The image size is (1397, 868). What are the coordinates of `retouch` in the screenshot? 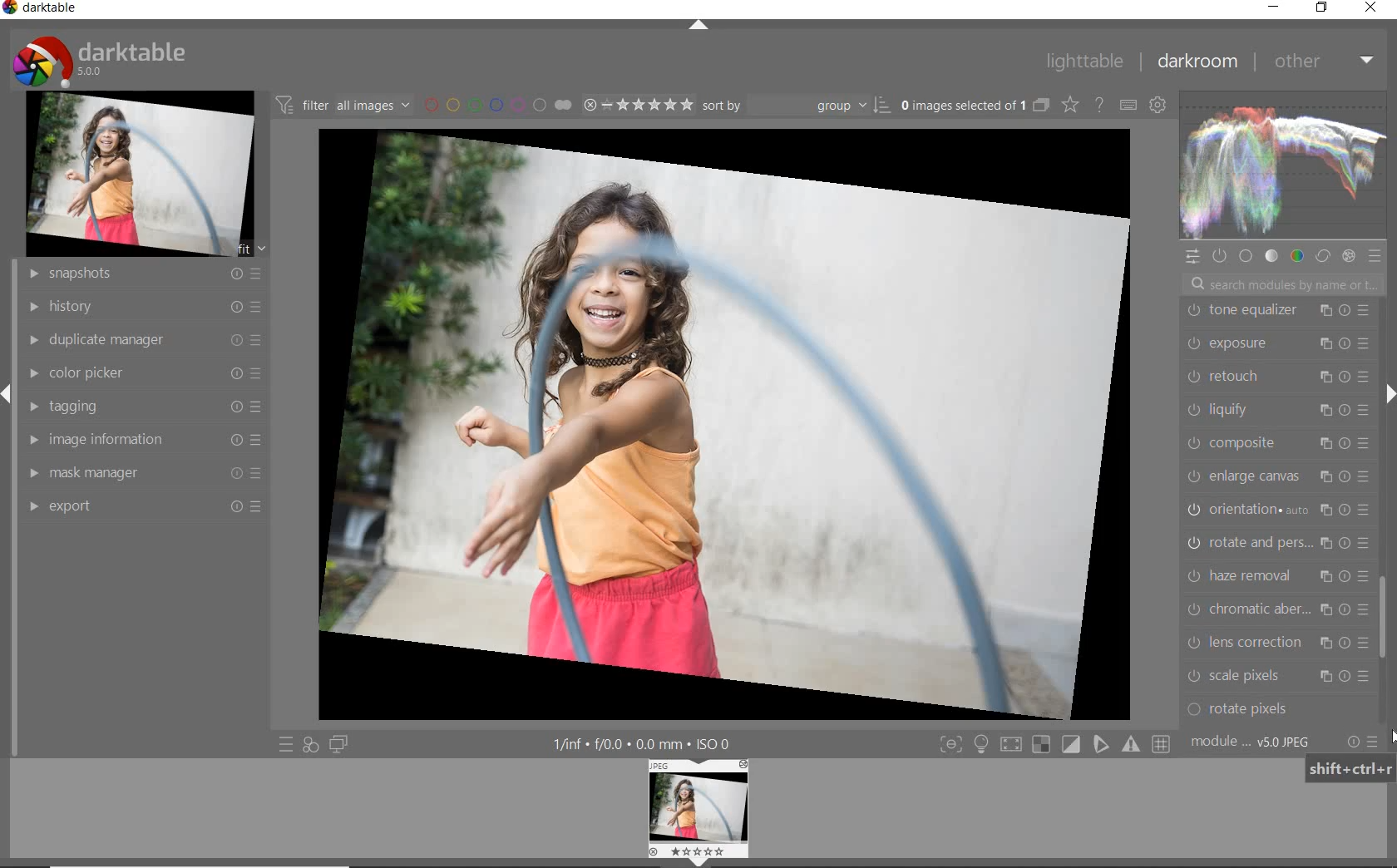 It's located at (1276, 377).